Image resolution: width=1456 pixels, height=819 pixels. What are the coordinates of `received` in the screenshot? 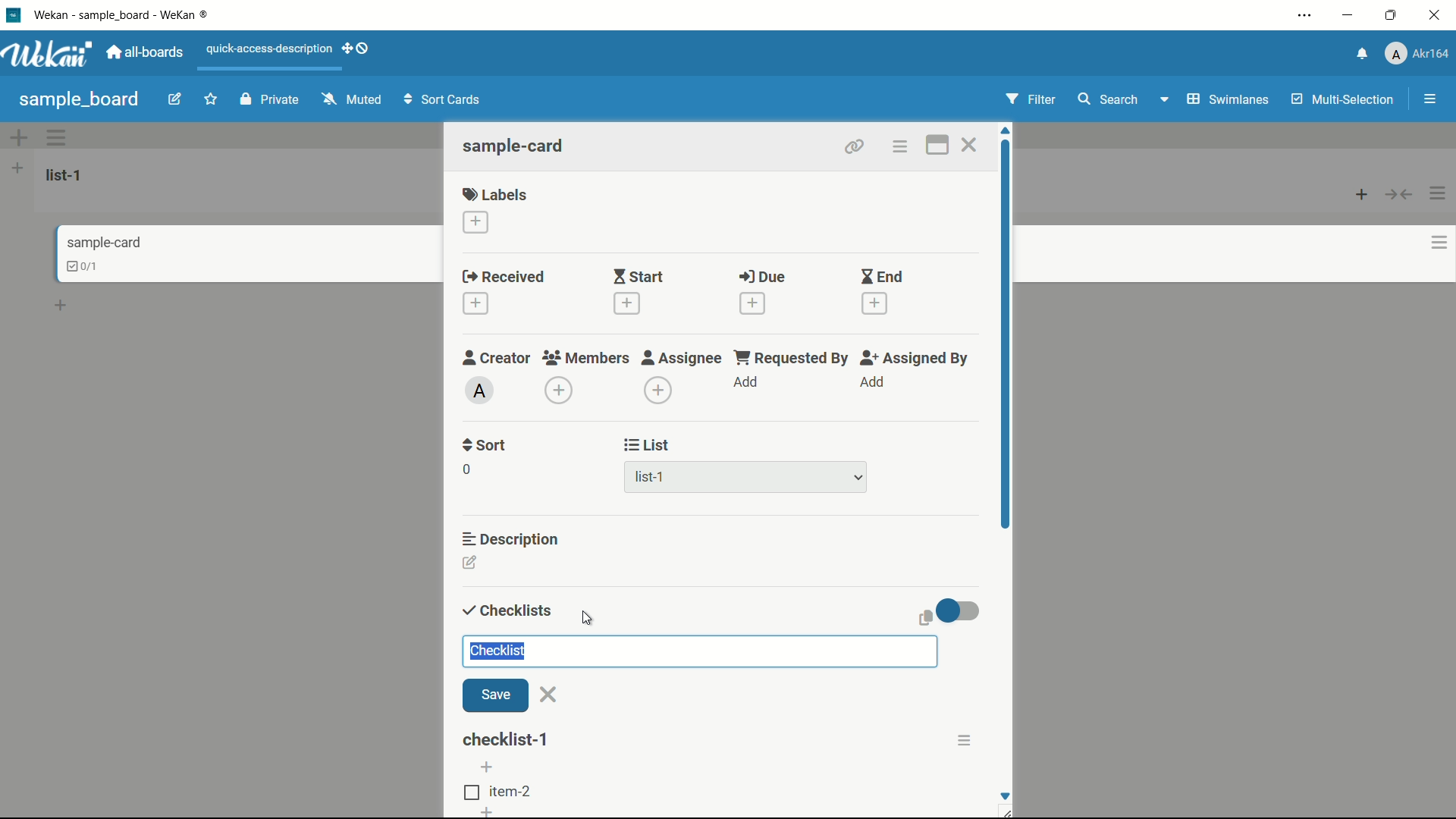 It's located at (504, 278).